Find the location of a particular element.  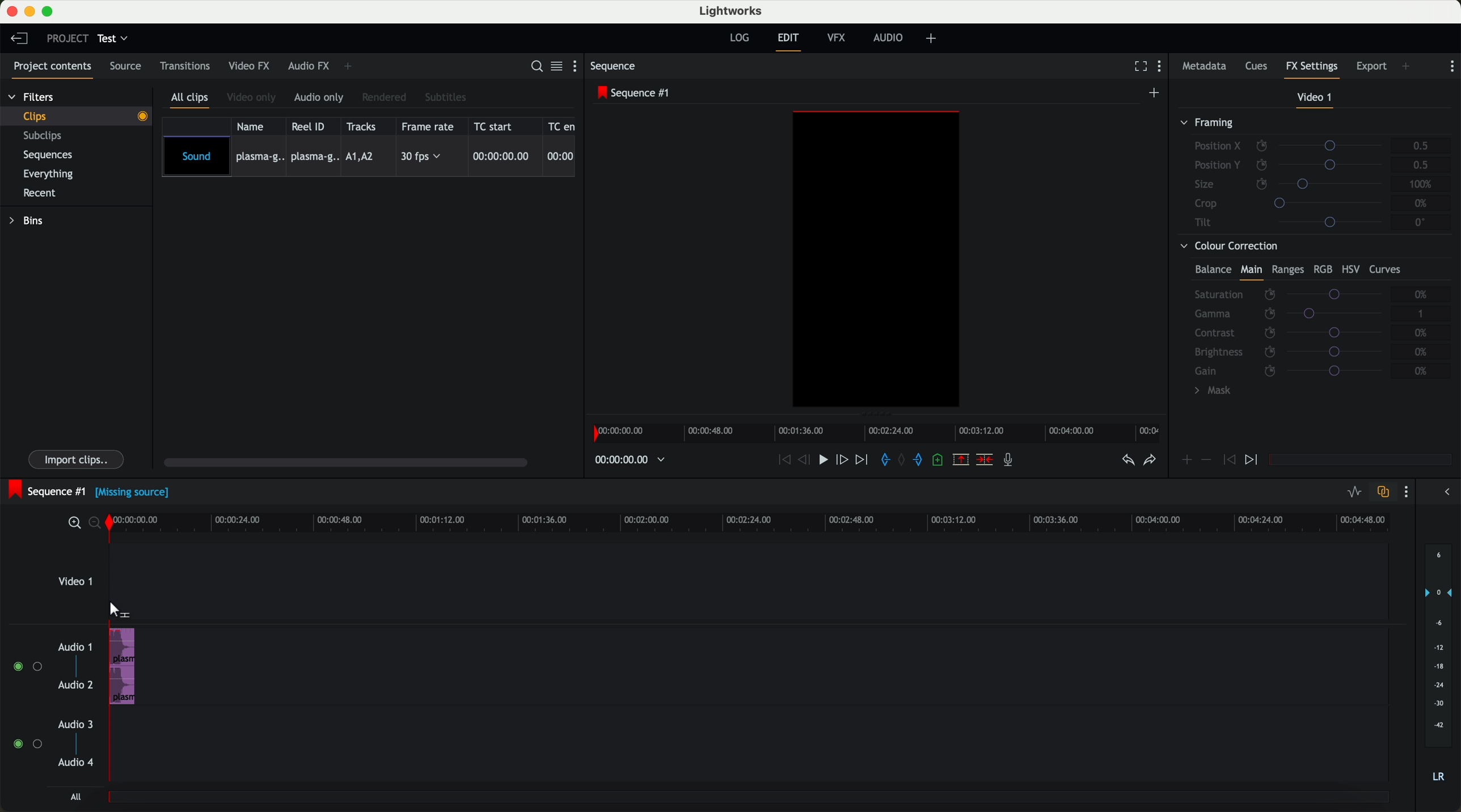

clear all marks is located at coordinates (903, 461).